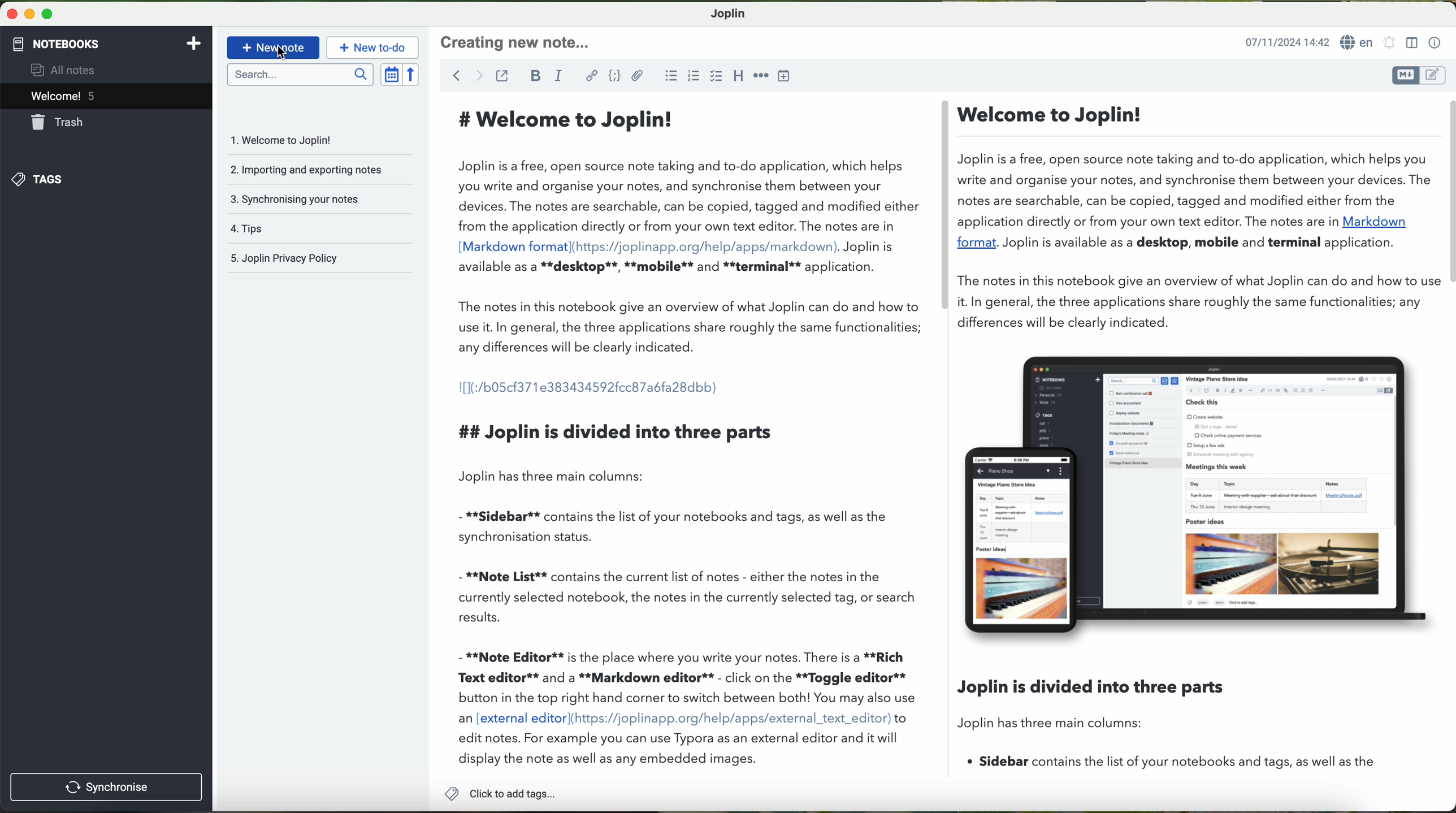 This screenshot has width=1456, height=813. I want to click on maximize, so click(47, 18).